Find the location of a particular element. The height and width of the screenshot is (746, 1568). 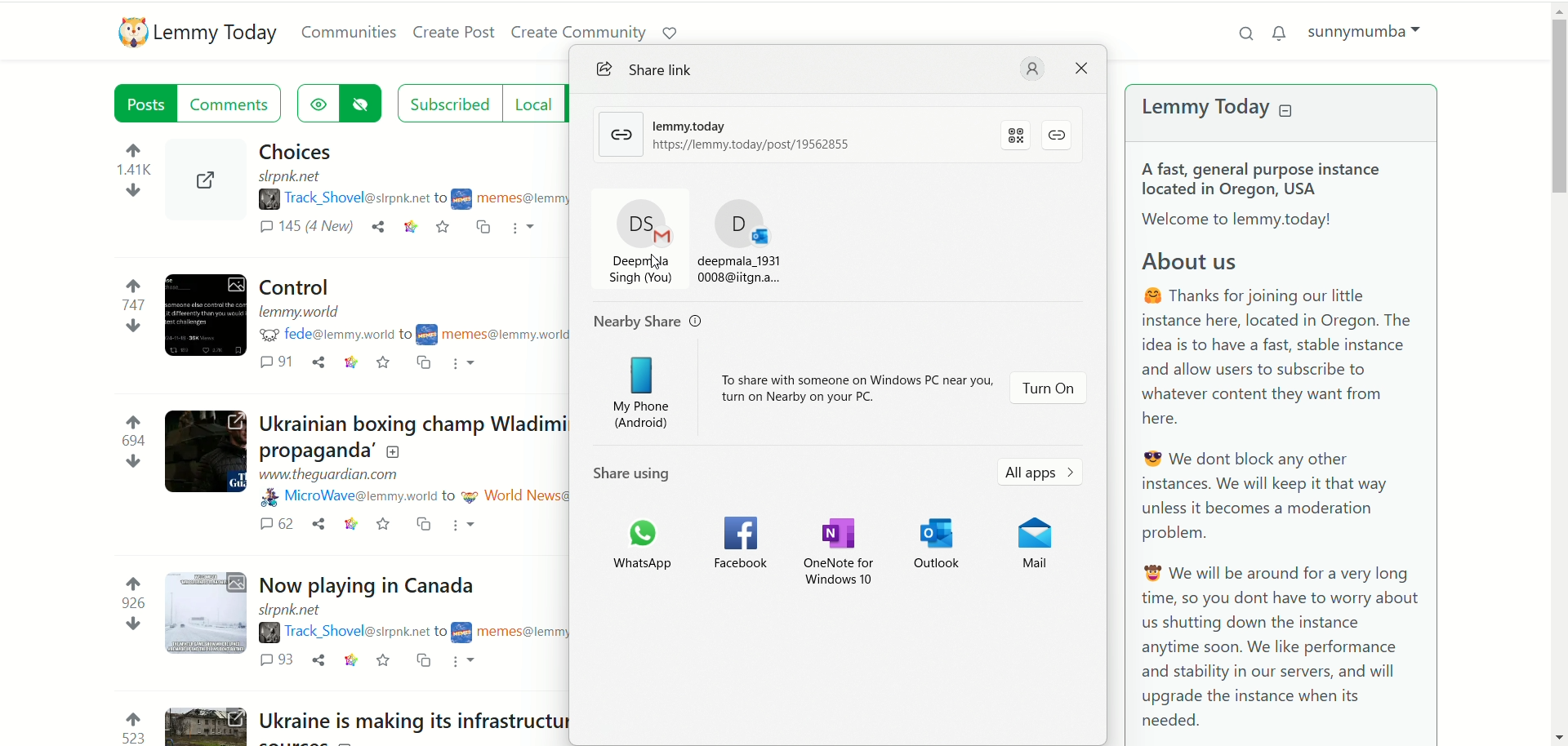

Expand the post with the image is located at coordinates (207, 615).